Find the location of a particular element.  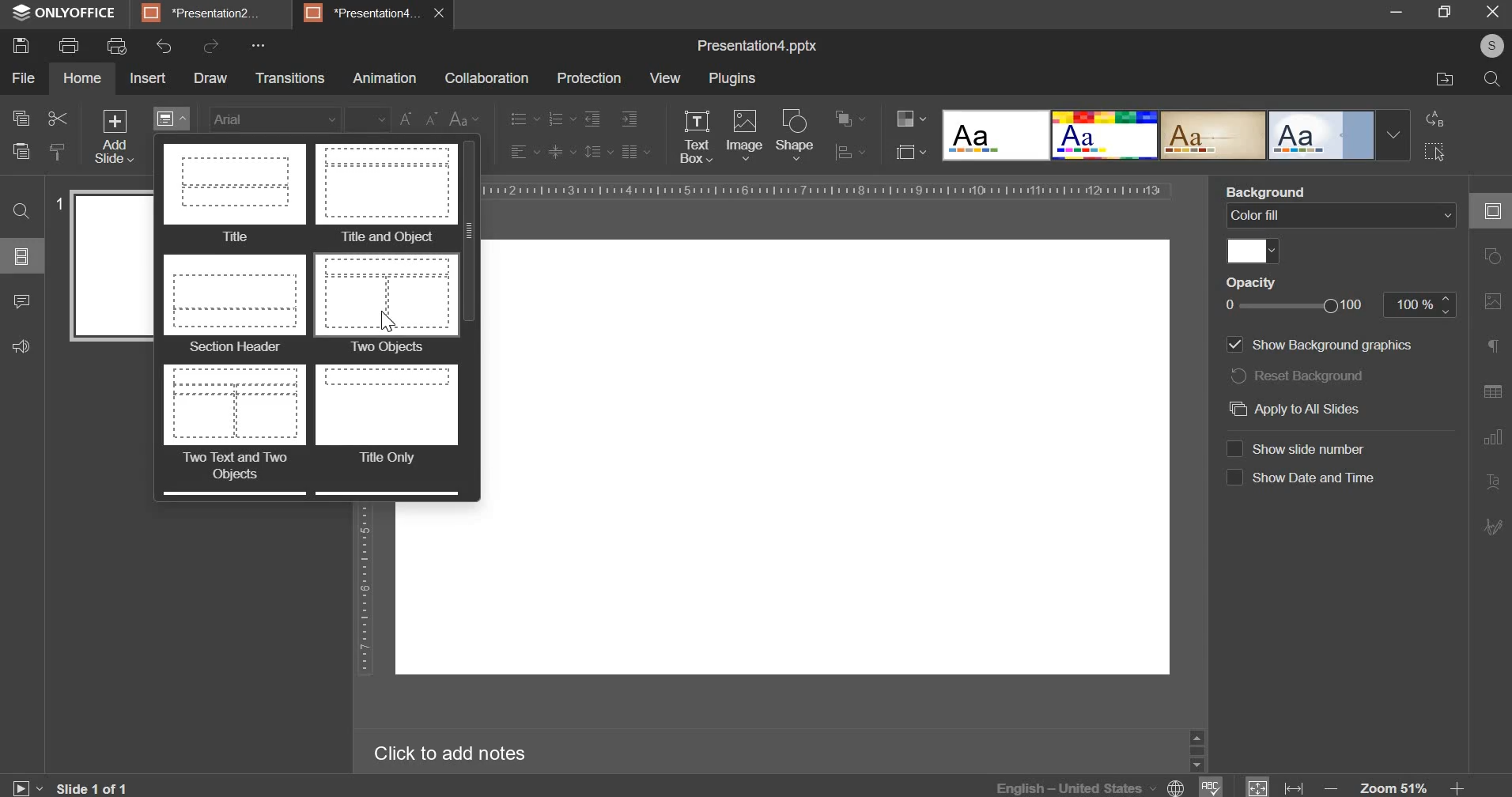

vertical scale is located at coordinates (366, 591).